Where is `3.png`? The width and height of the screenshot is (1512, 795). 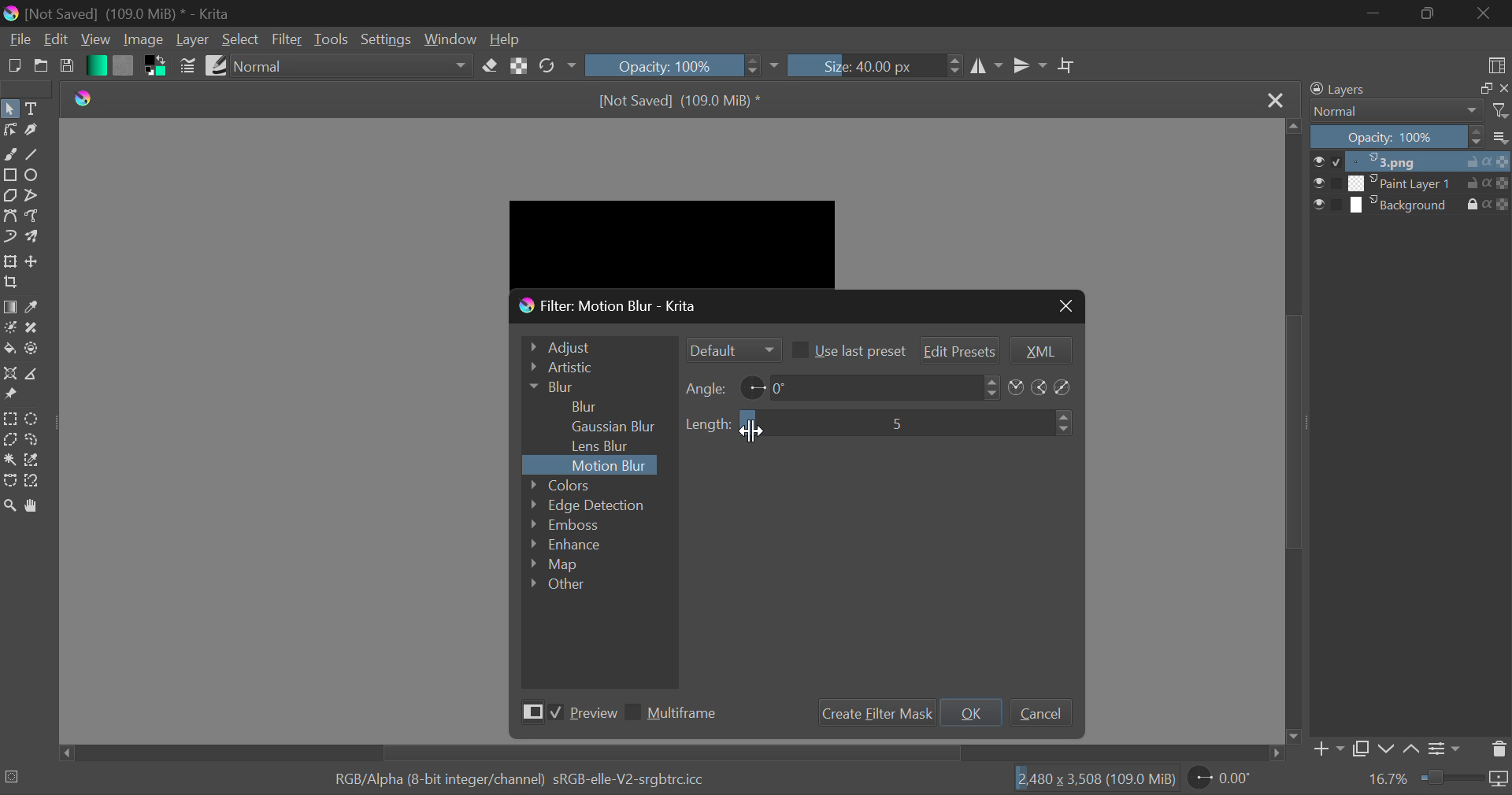
3.png is located at coordinates (1412, 162).